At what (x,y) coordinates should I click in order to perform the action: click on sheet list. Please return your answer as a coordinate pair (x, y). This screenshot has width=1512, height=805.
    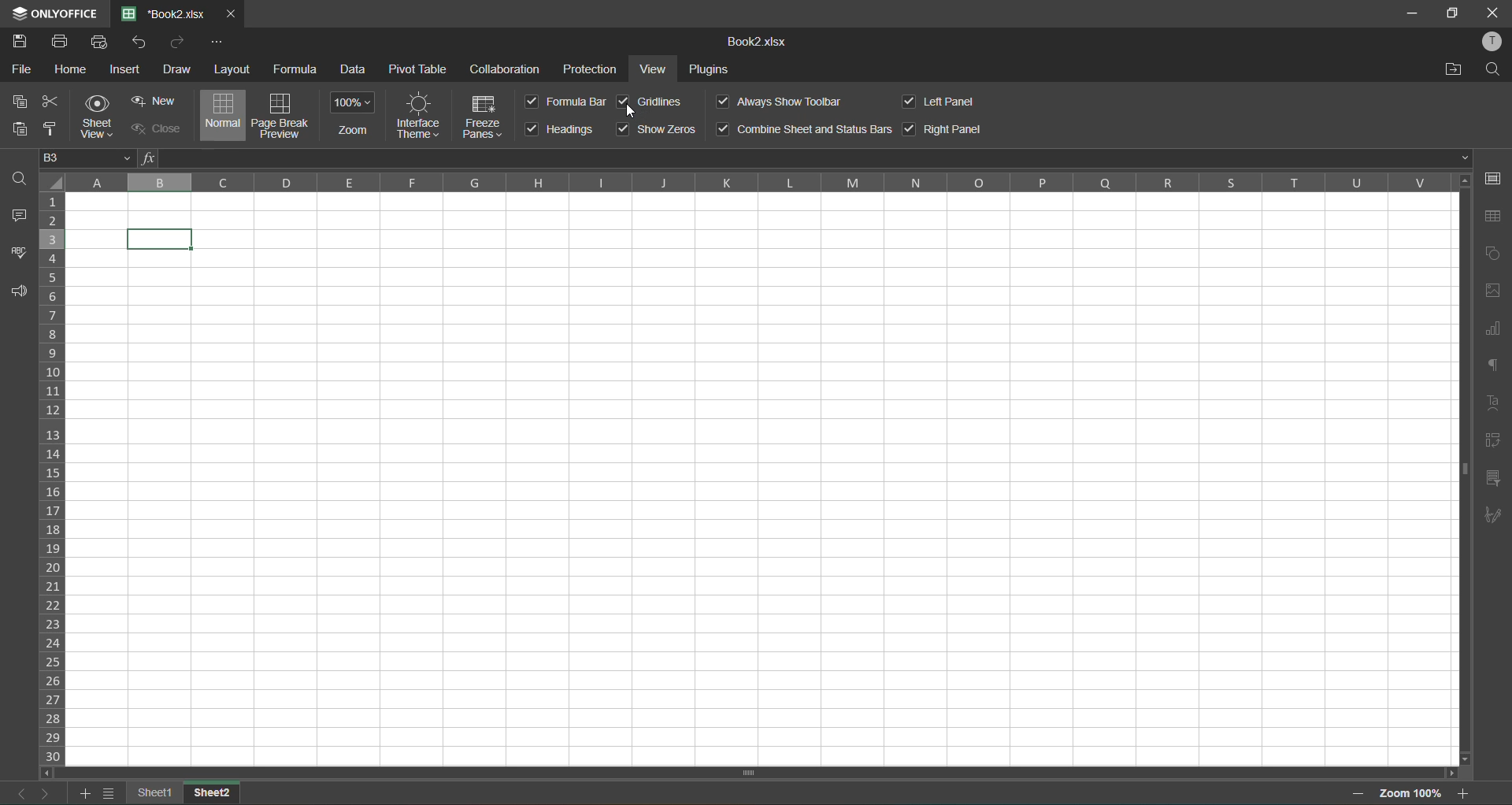
    Looking at the image, I should click on (109, 794).